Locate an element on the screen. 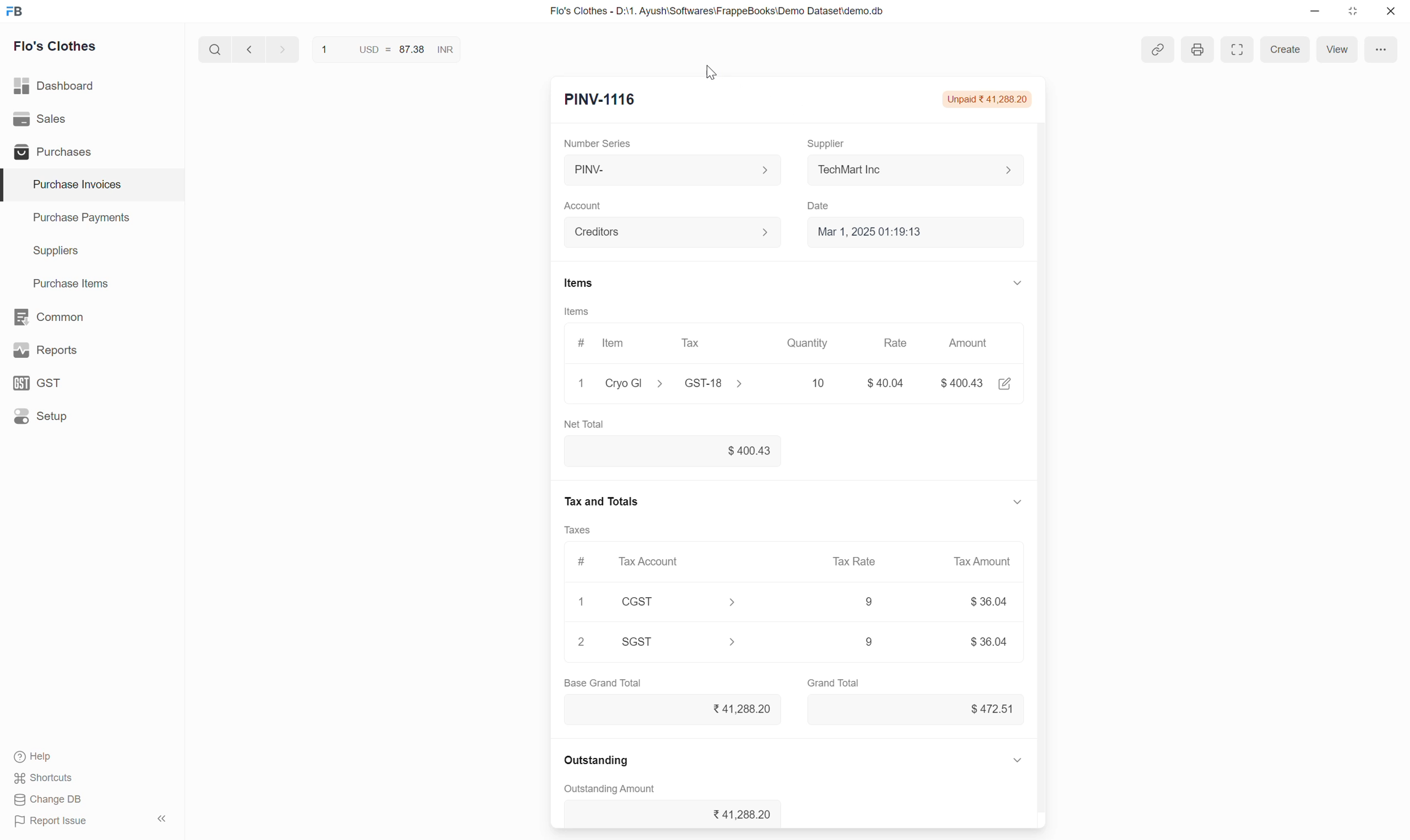 This screenshot has width=1410, height=840. $36.04 is located at coordinates (982, 602).